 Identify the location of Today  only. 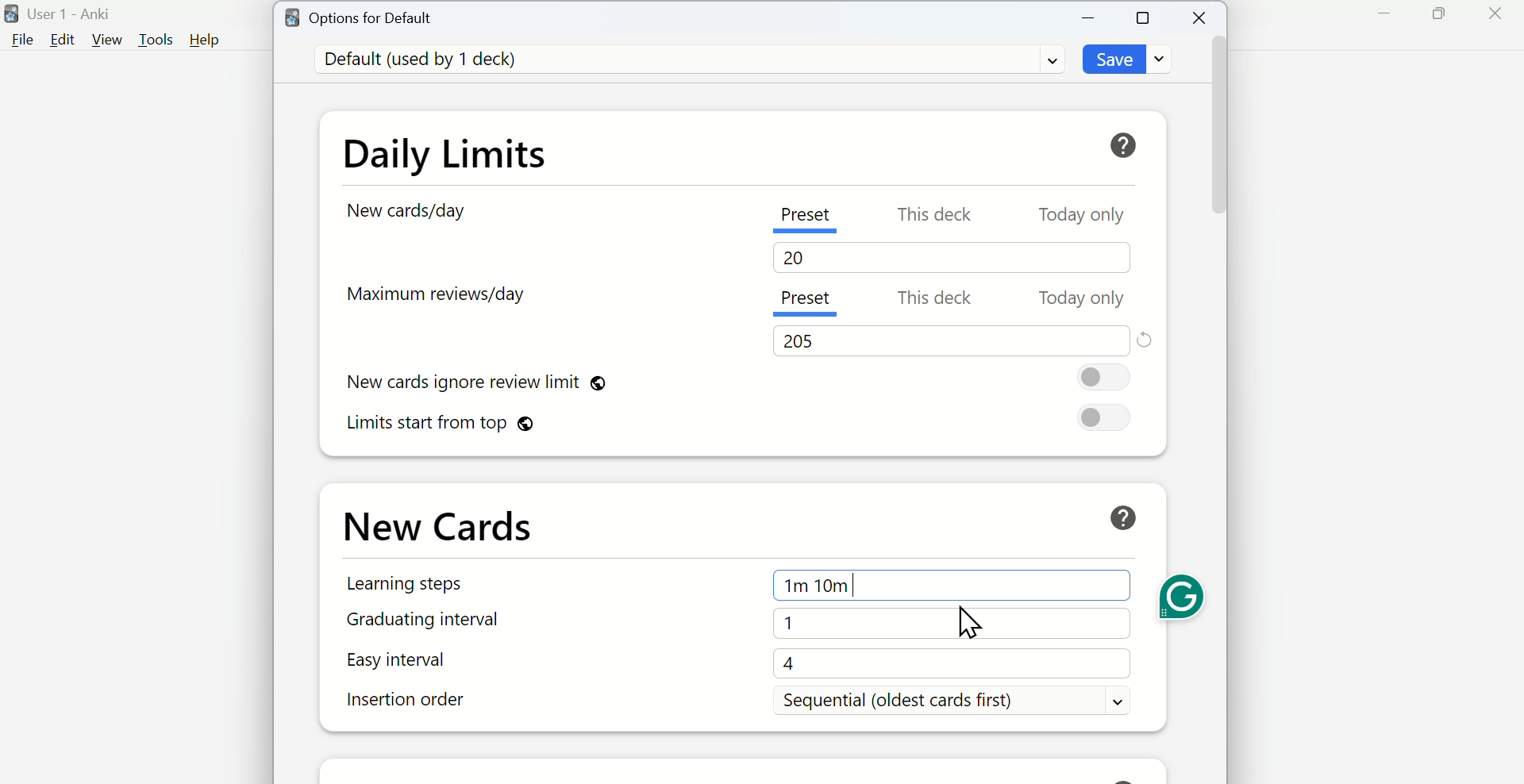
(1081, 216).